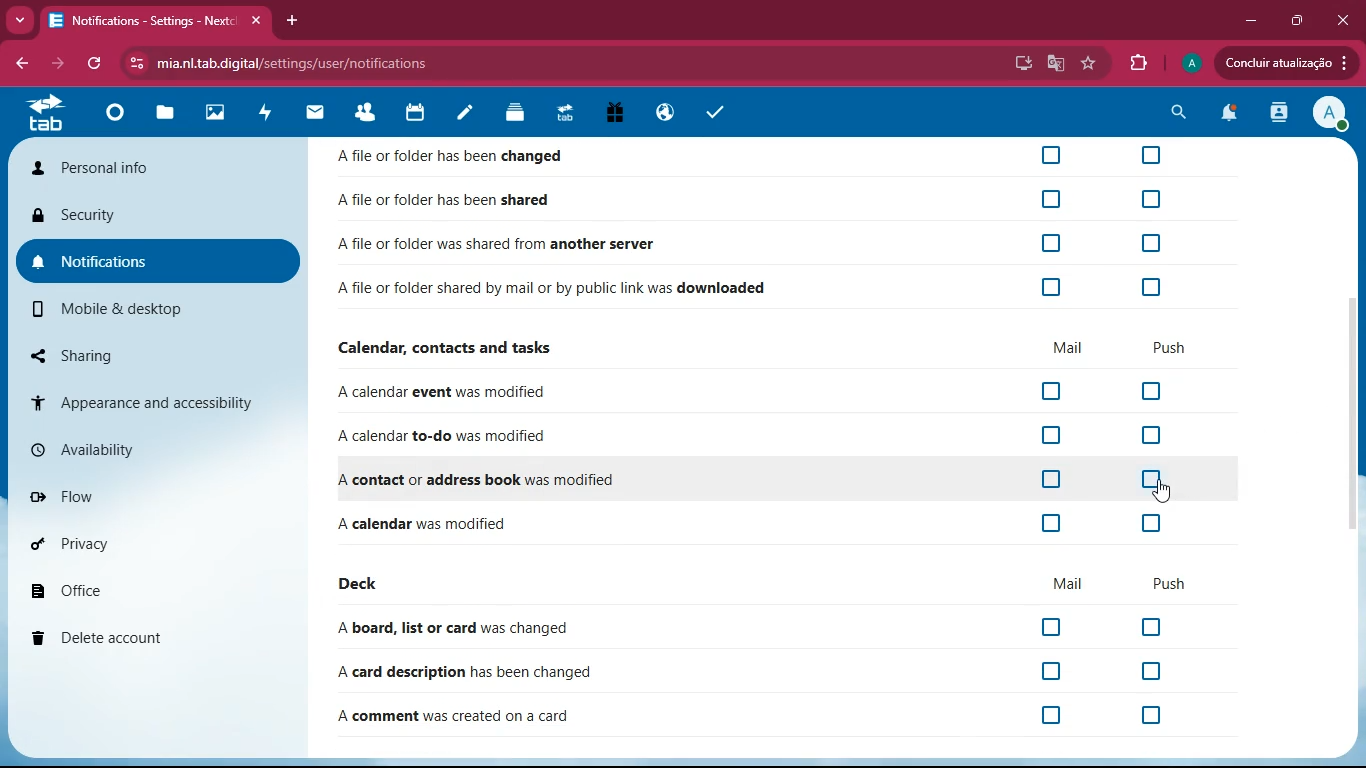 This screenshot has height=768, width=1366. Describe the element at coordinates (157, 398) in the screenshot. I see `appearance and accessibility` at that location.